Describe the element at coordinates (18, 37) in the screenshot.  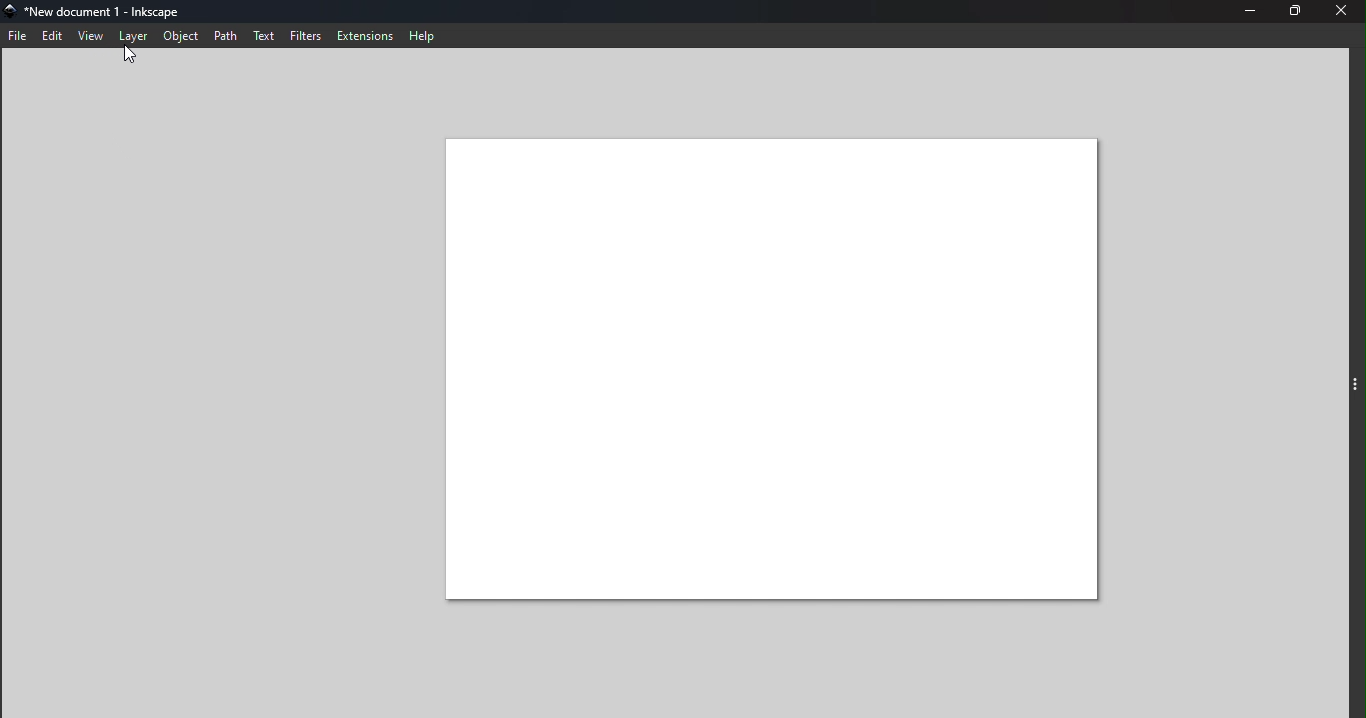
I see `File` at that location.